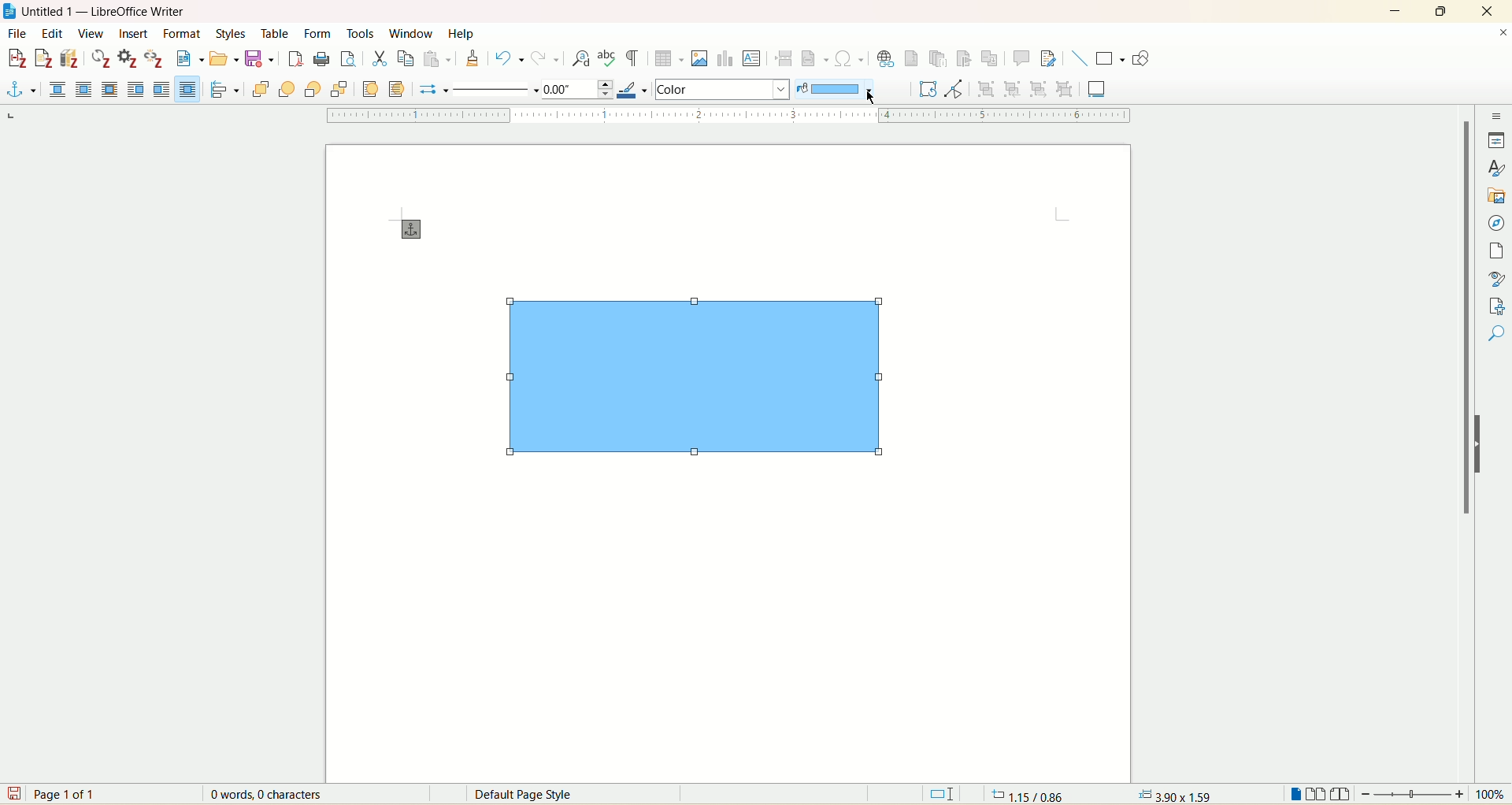 The width and height of the screenshot is (1512, 805). Describe the element at coordinates (1495, 197) in the screenshot. I see `gallery` at that location.